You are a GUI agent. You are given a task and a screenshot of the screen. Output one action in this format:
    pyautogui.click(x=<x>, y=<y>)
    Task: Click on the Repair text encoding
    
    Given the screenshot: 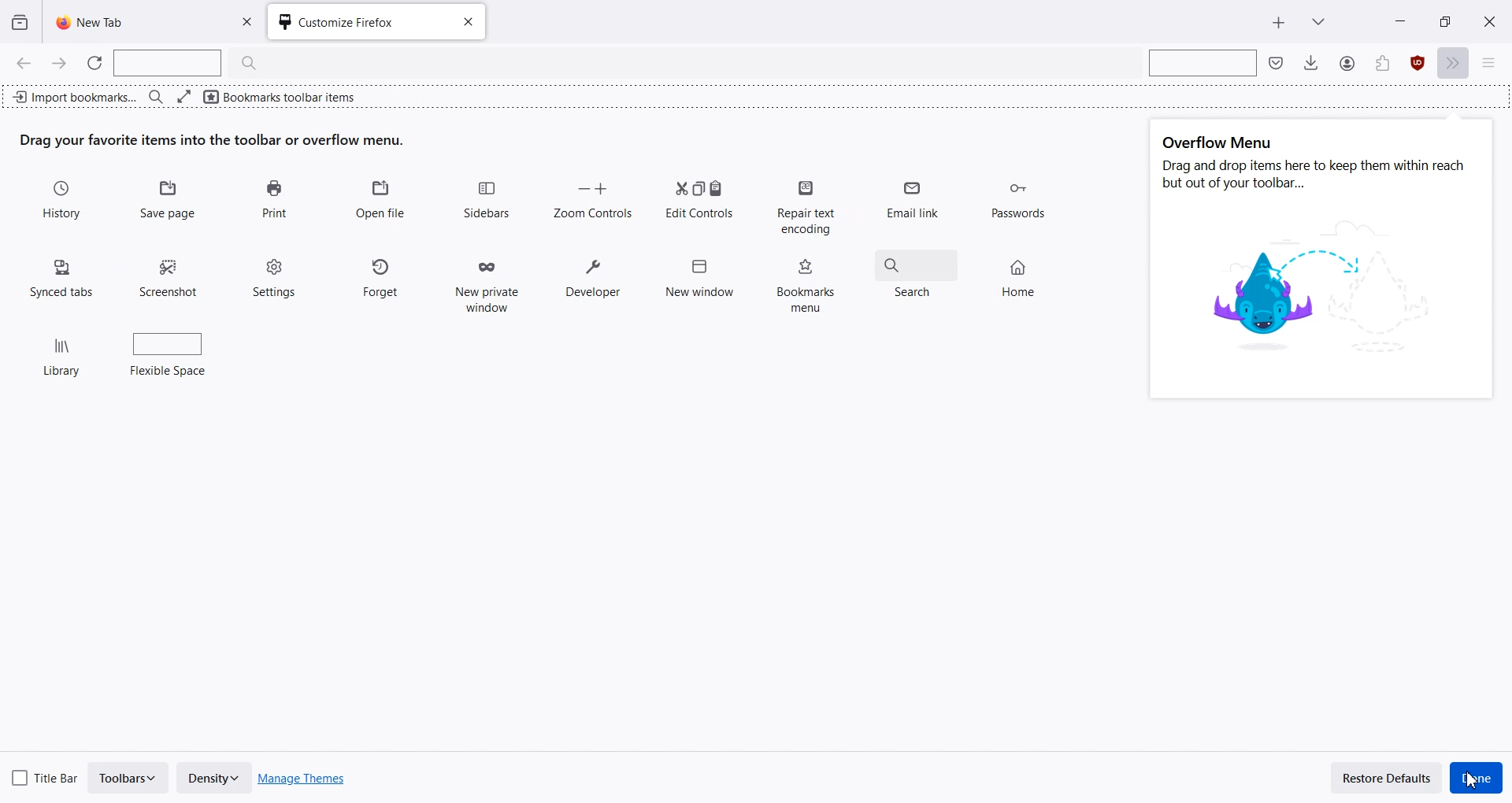 What is the action you would take?
    pyautogui.click(x=805, y=205)
    